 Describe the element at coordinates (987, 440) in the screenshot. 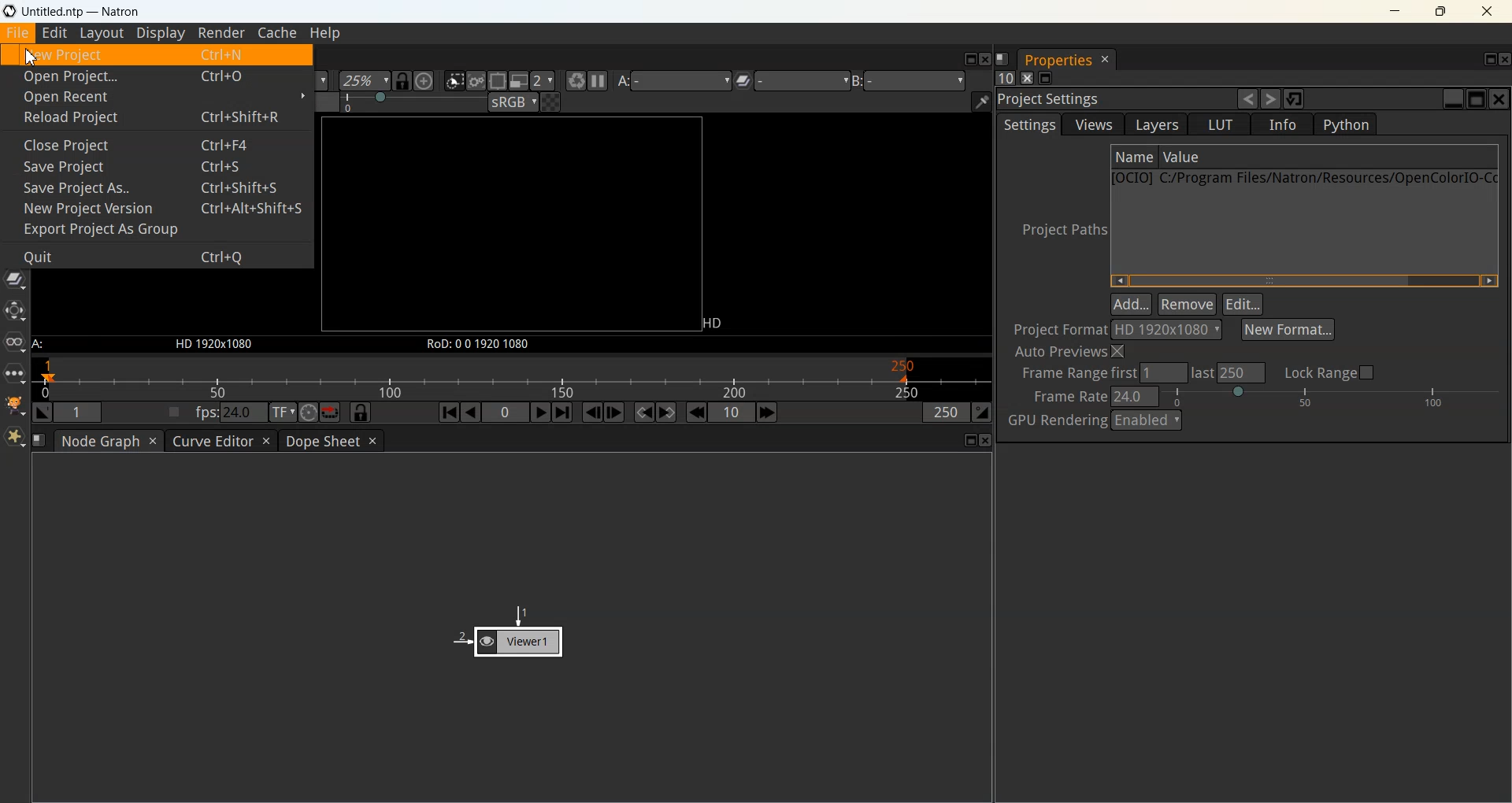

I see `Close` at that location.